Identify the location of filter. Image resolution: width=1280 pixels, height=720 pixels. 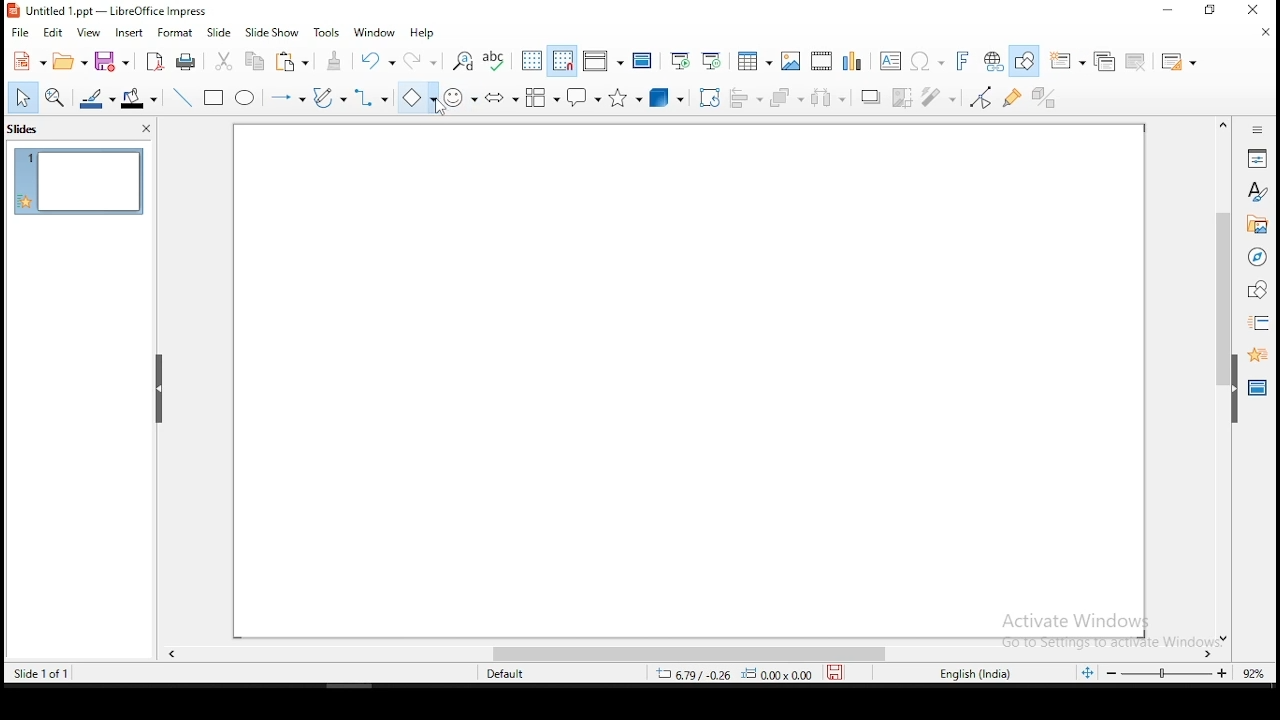
(943, 97).